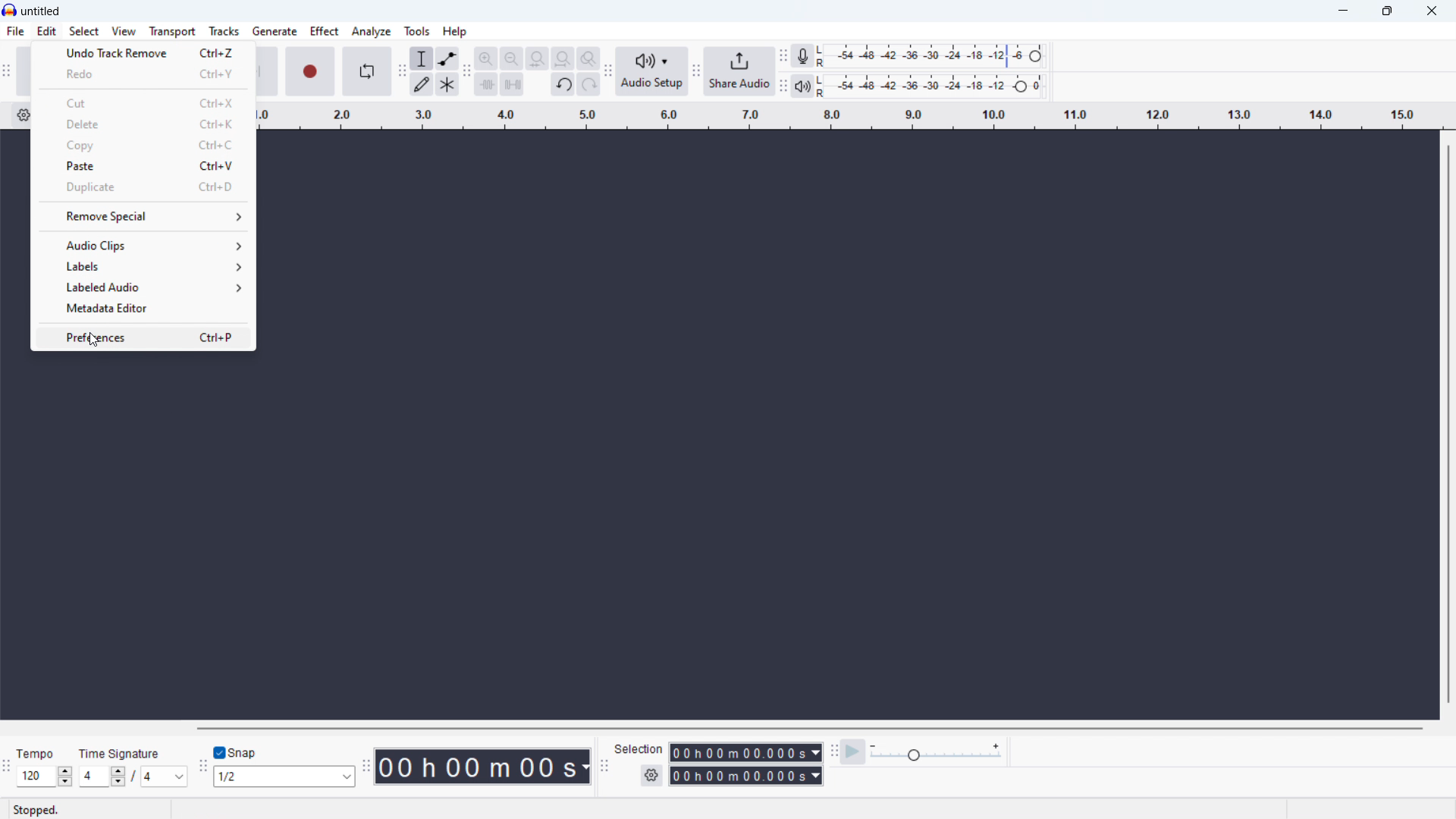 This screenshot has width=1456, height=819. What do you see at coordinates (802, 86) in the screenshot?
I see `playback meter toolbar` at bounding box center [802, 86].